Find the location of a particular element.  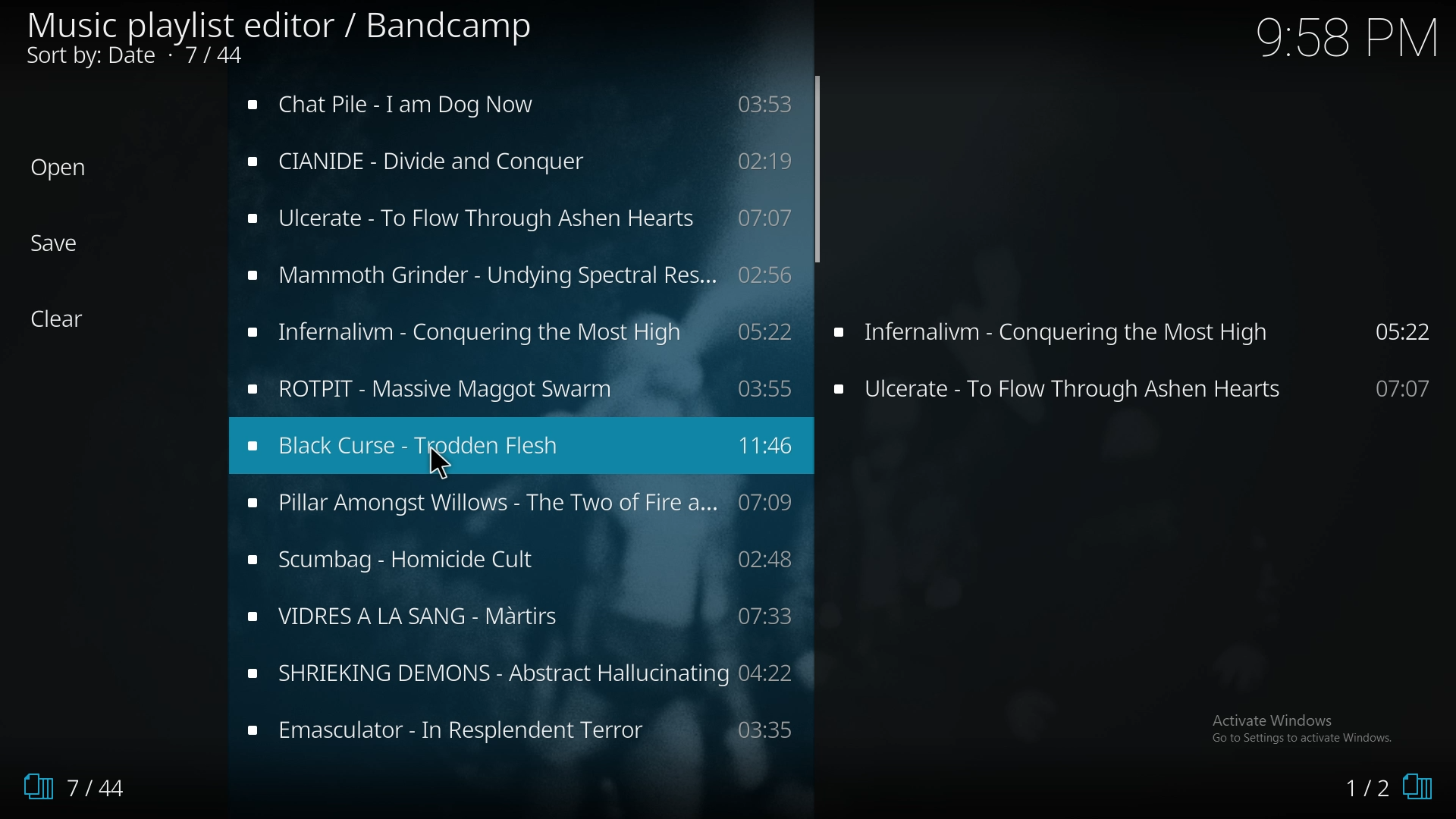

music is located at coordinates (526, 733).